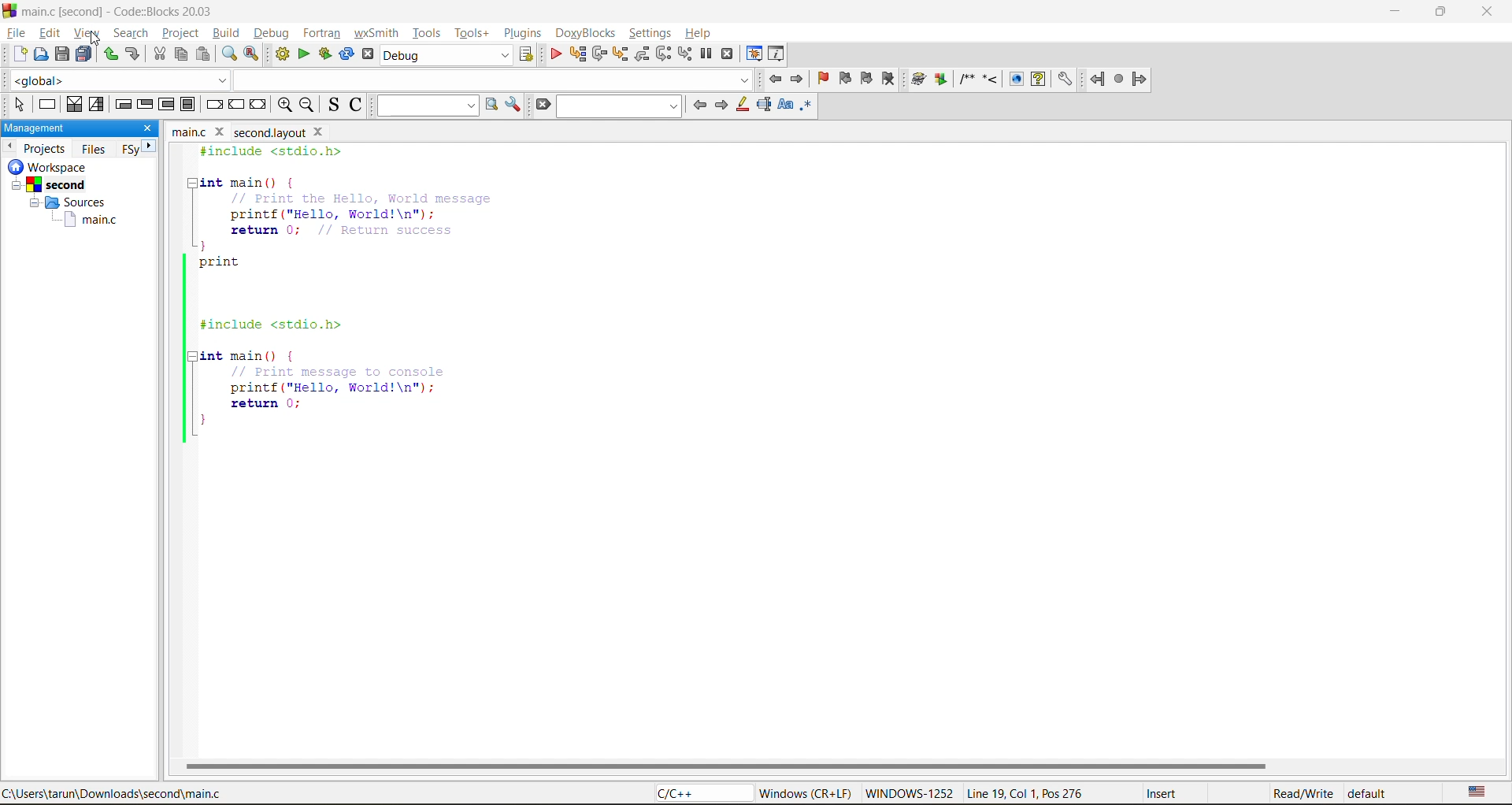 The width and height of the screenshot is (1512, 805). I want to click on rebuild, so click(348, 52).